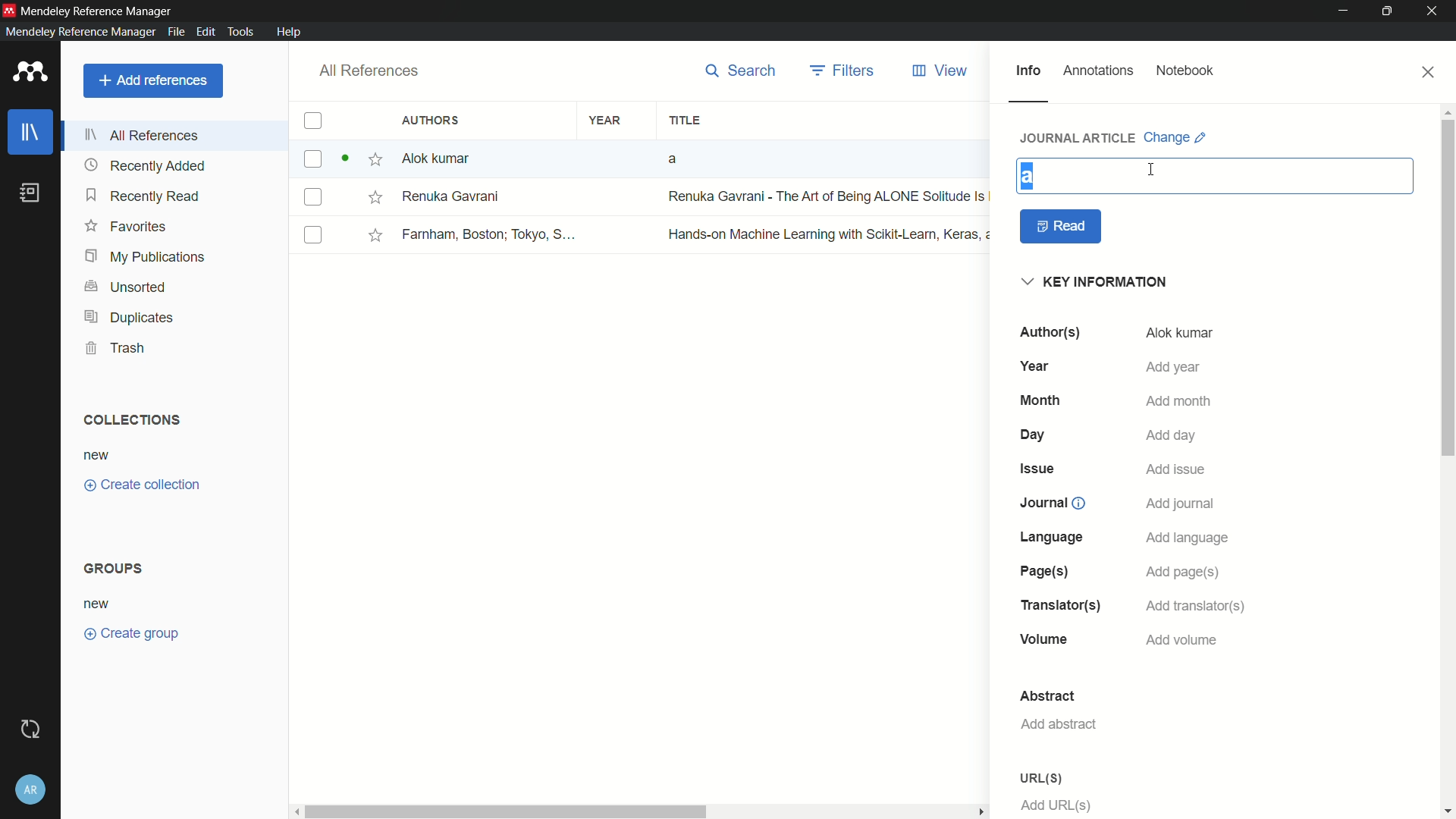 The width and height of the screenshot is (1456, 819). Describe the element at coordinates (1172, 435) in the screenshot. I see `add day` at that location.